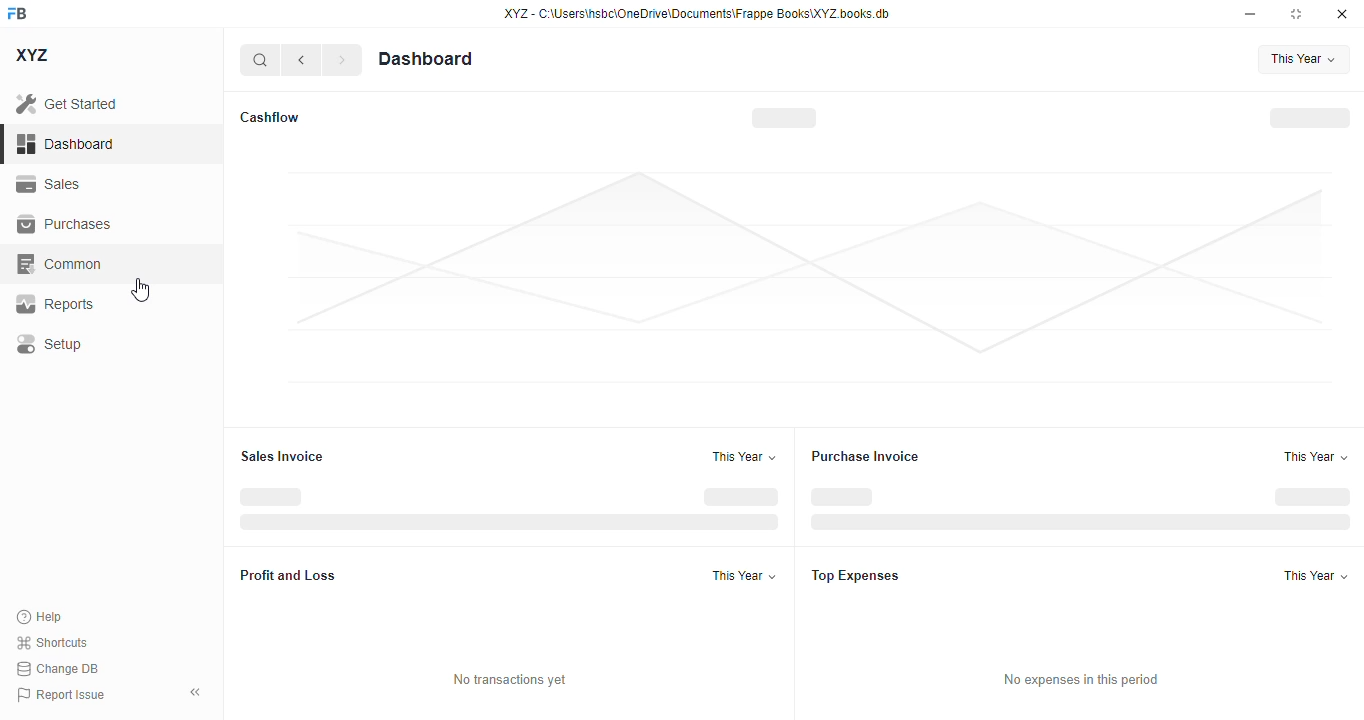 The image size is (1364, 720). Describe the element at coordinates (866, 456) in the screenshot. I see `purchase invoice` at that location.